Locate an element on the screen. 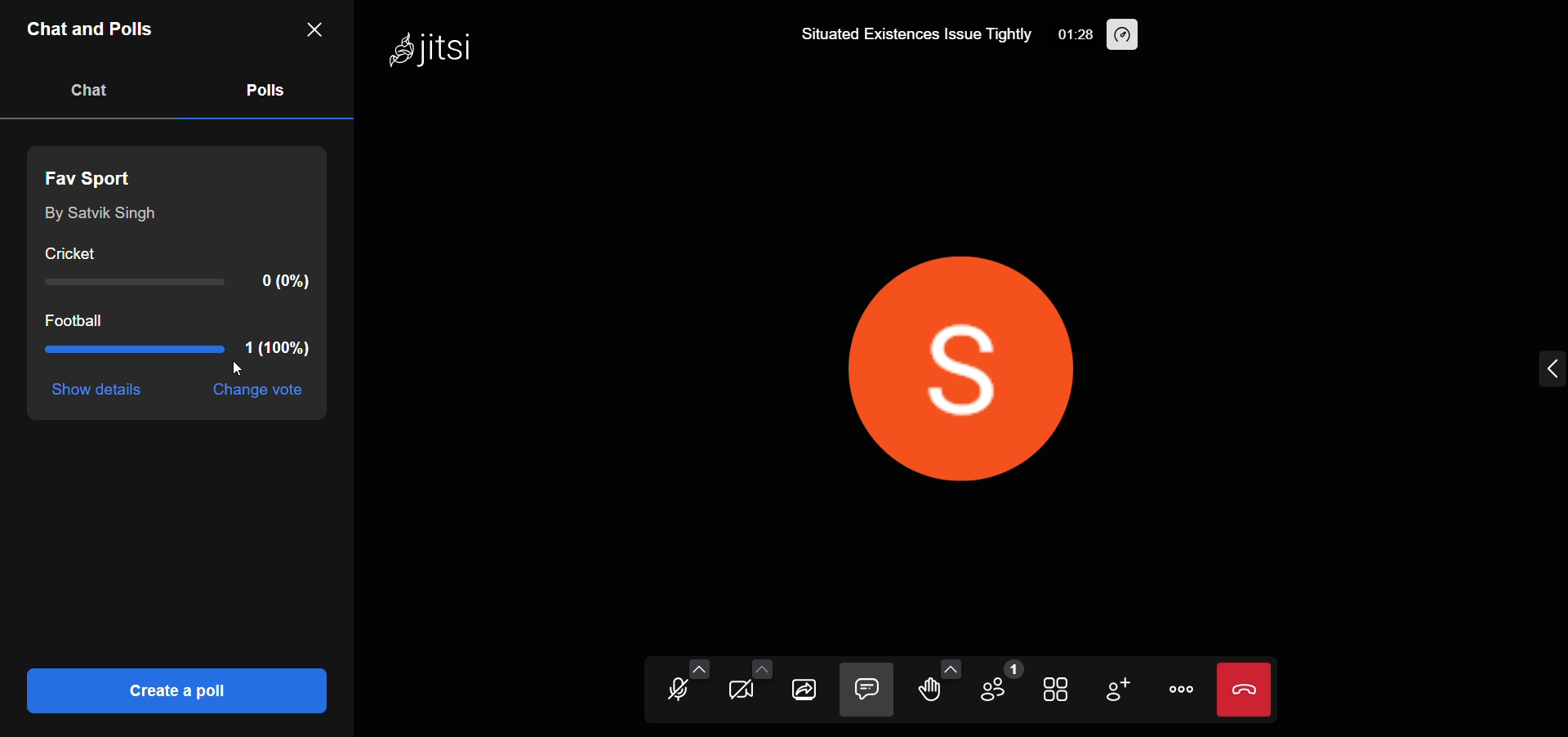  Situated Existences Issue Tightly is located at coordinates (911, 35).